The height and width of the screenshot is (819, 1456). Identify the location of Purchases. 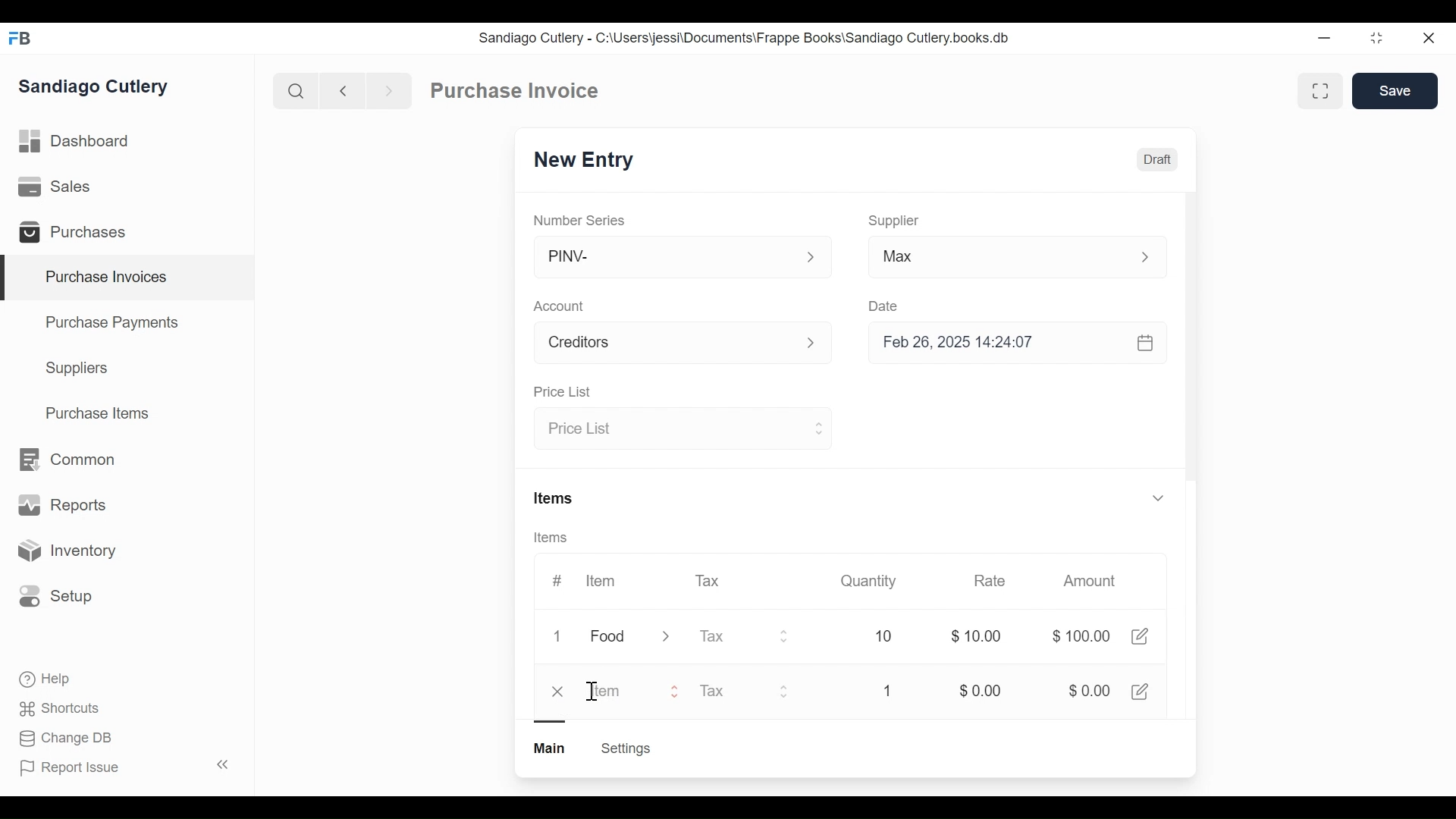
(79, 234).